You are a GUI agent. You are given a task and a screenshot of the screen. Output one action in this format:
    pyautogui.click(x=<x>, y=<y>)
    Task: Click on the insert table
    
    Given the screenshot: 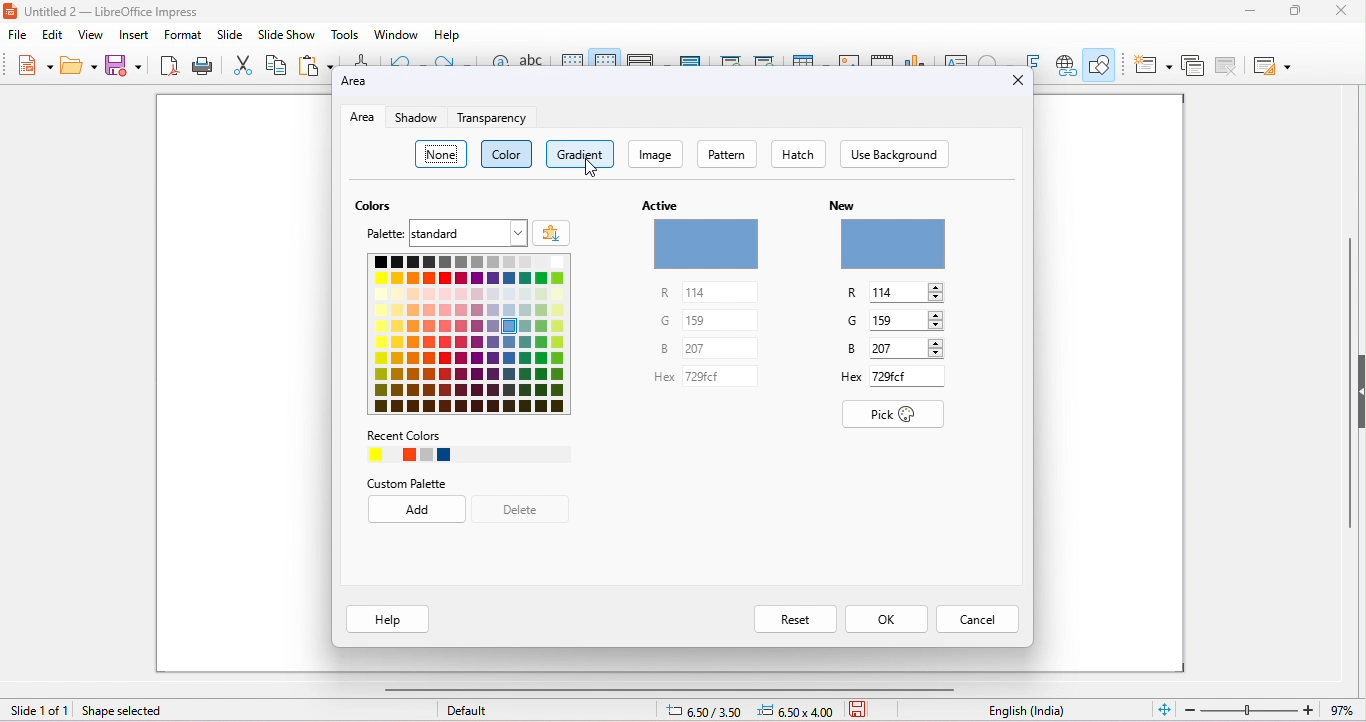 What is the action you would take?
    pyautogui.click(x=808, y=56)
    